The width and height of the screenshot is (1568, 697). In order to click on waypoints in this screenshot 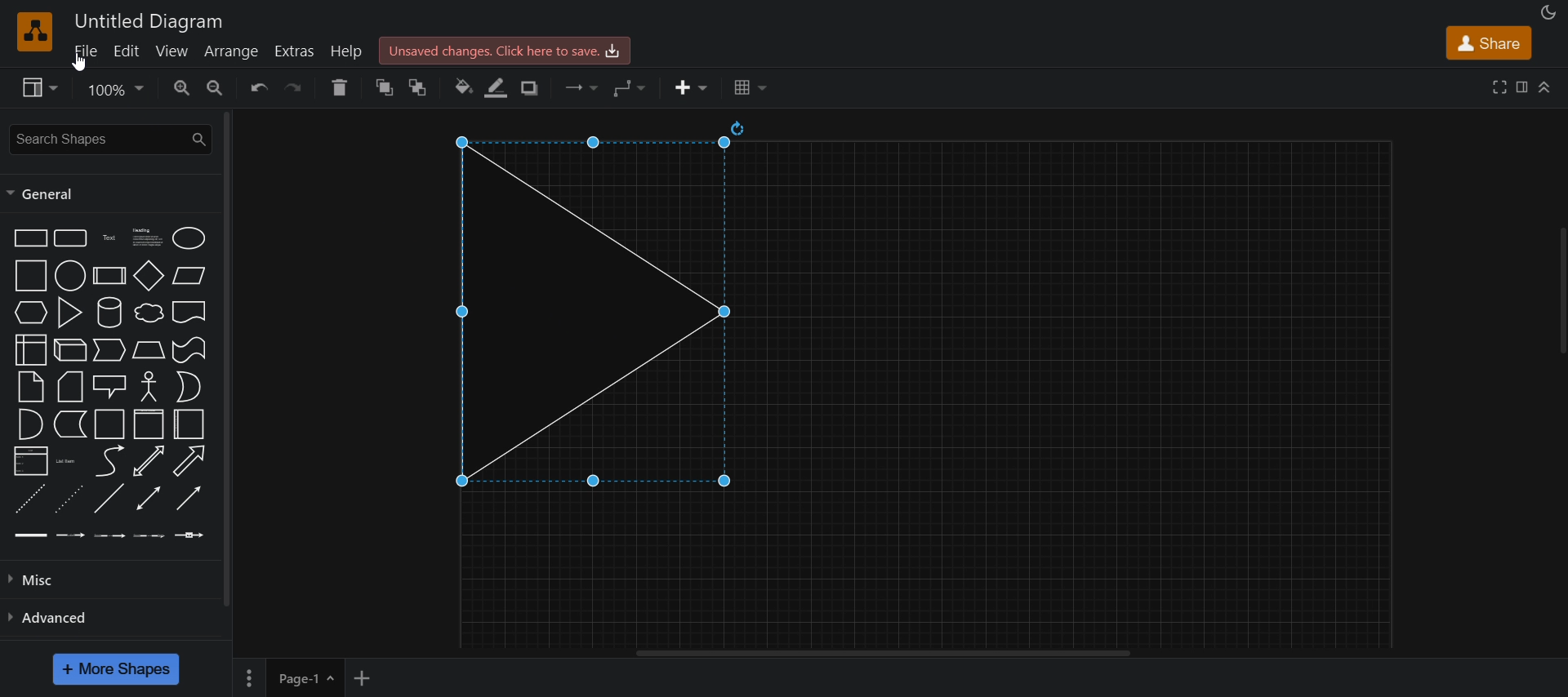, I will do `click(628, 87)`.